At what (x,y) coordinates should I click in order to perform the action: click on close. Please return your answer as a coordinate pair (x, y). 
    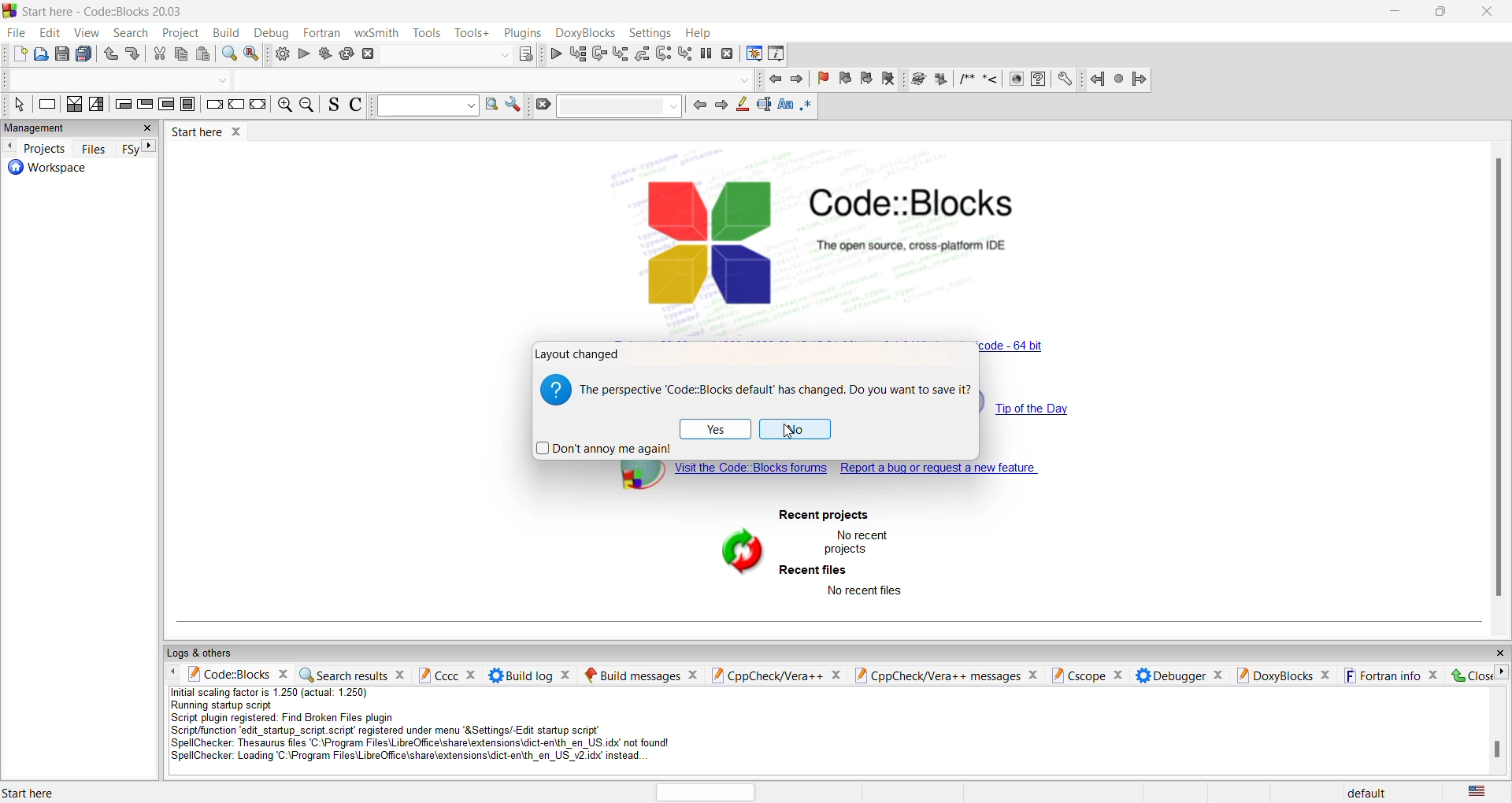
    Looking at the image, I should click on (1472, 676).